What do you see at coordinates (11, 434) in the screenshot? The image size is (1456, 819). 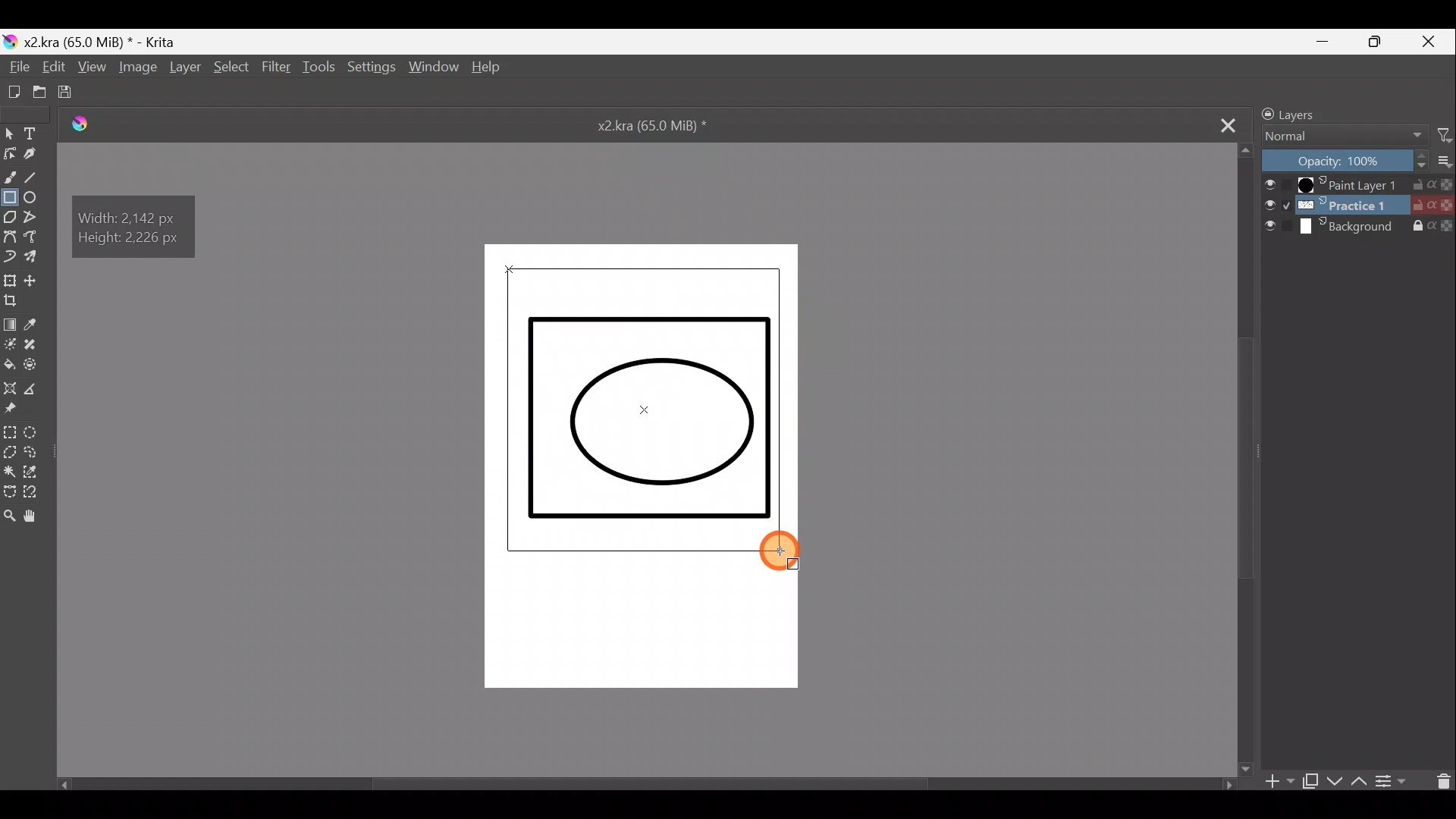 I see `Rectangular selection tool` at bounding box center [11, 434].